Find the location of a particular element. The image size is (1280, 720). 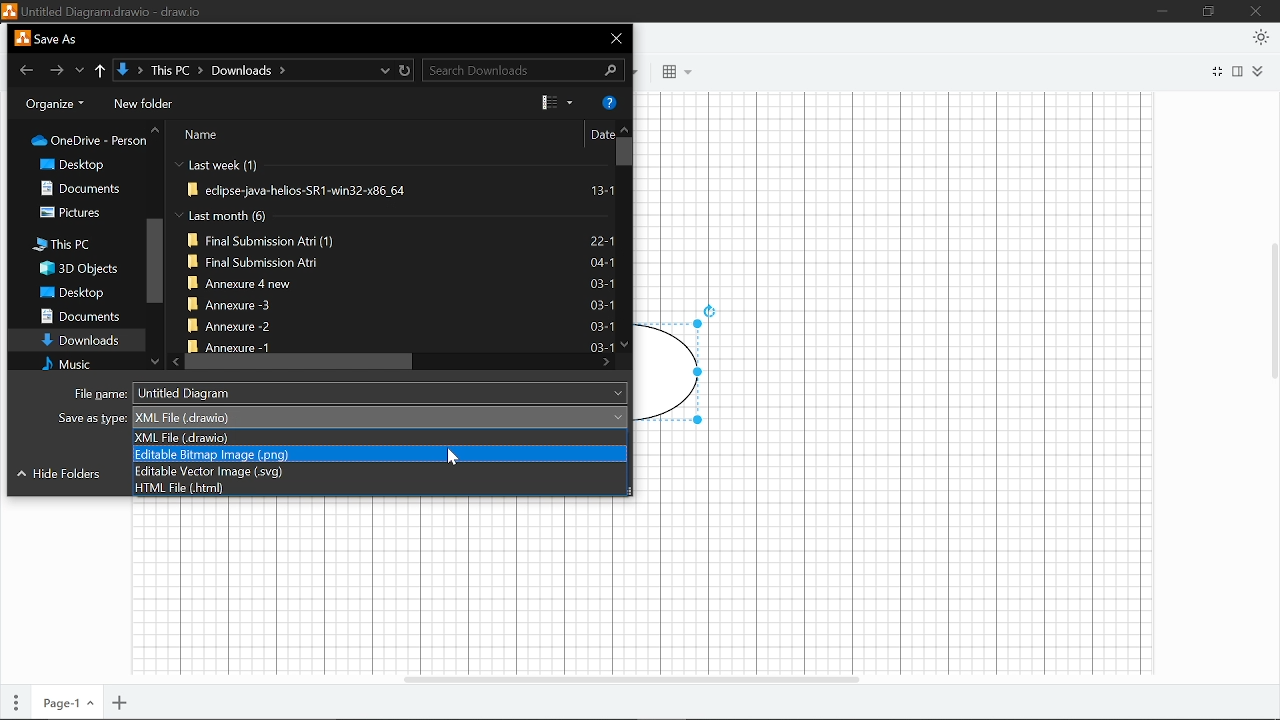

Full screen is located at coordinates (1216, 71).